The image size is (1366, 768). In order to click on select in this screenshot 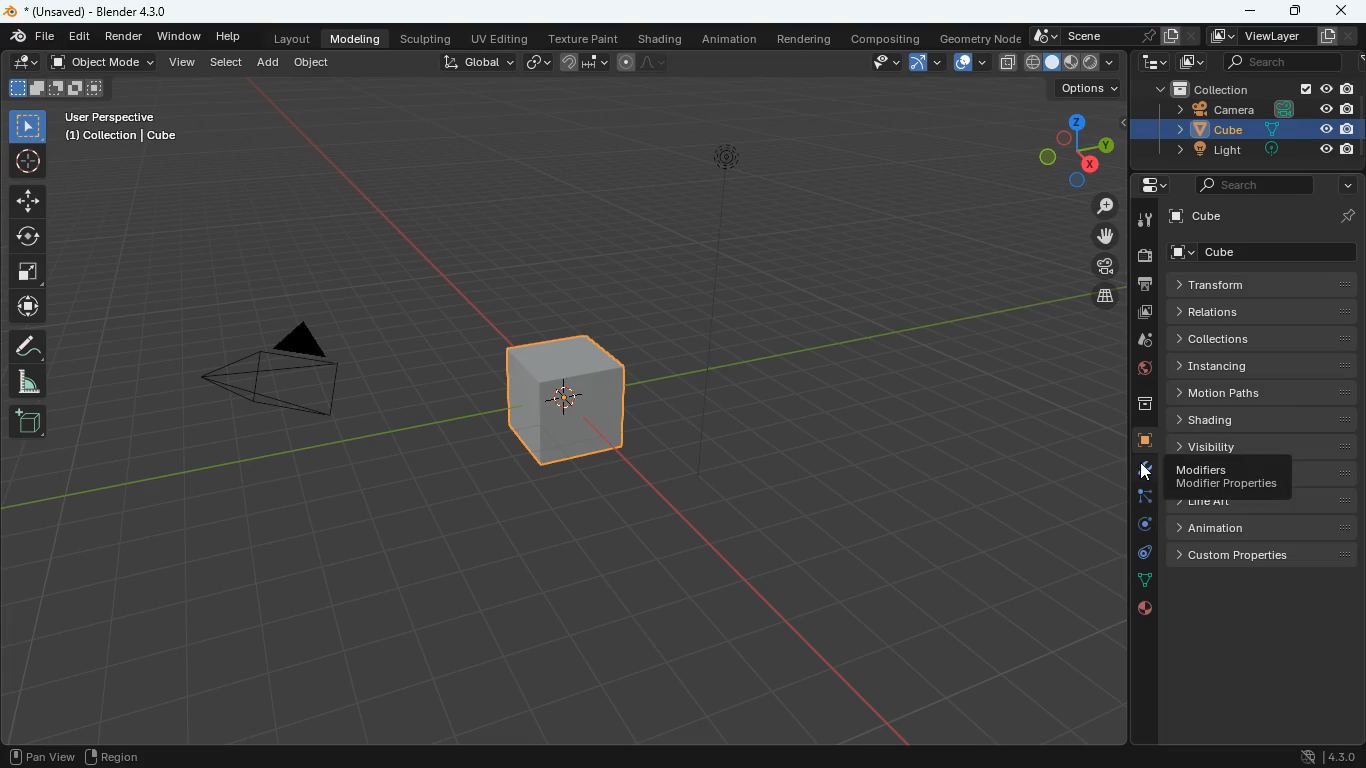, I will do `click(227, 62)`.